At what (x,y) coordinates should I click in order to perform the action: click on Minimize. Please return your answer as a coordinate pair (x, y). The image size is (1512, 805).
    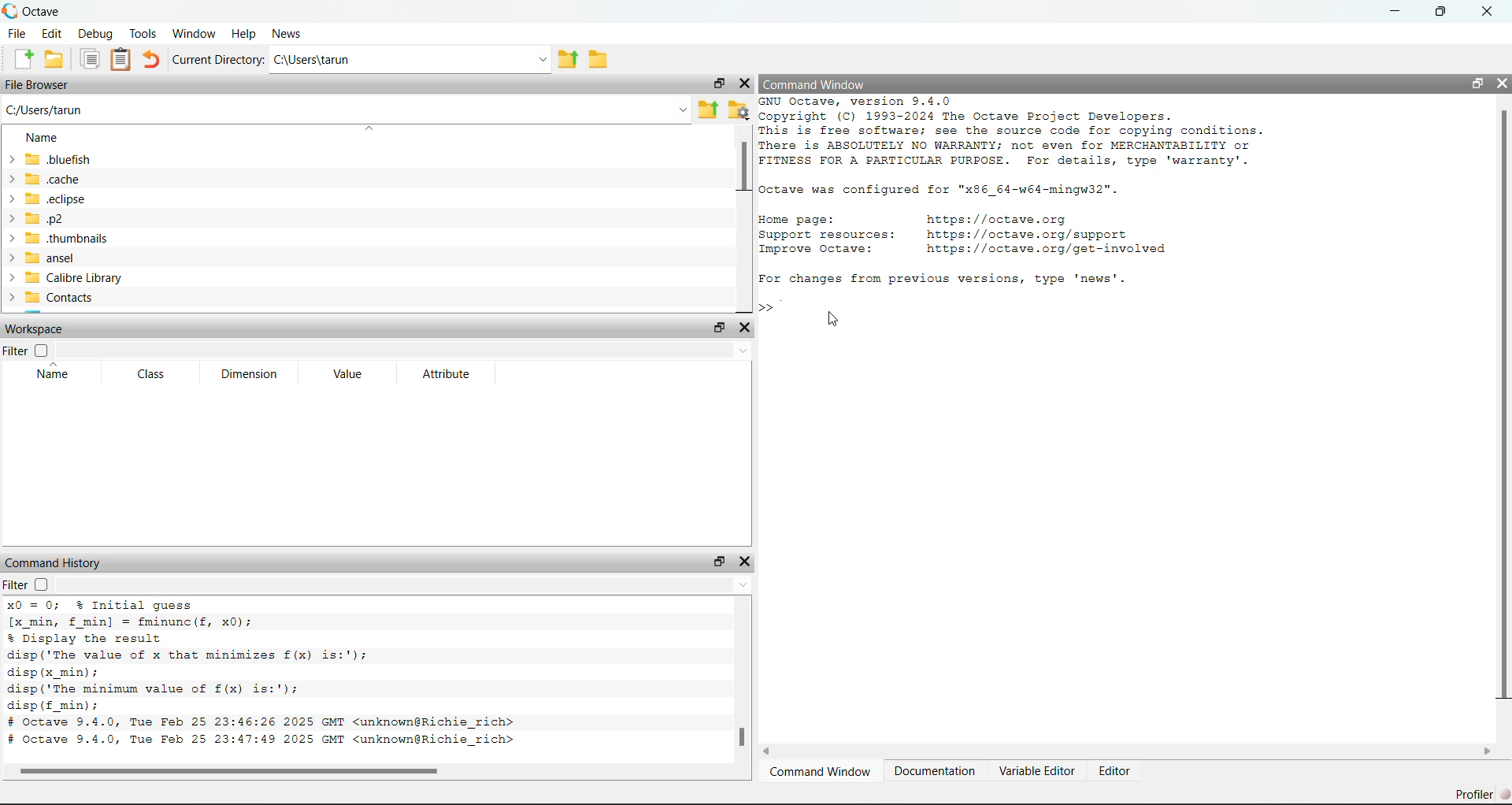
    Looking at the image, I should click on (1393, 12).